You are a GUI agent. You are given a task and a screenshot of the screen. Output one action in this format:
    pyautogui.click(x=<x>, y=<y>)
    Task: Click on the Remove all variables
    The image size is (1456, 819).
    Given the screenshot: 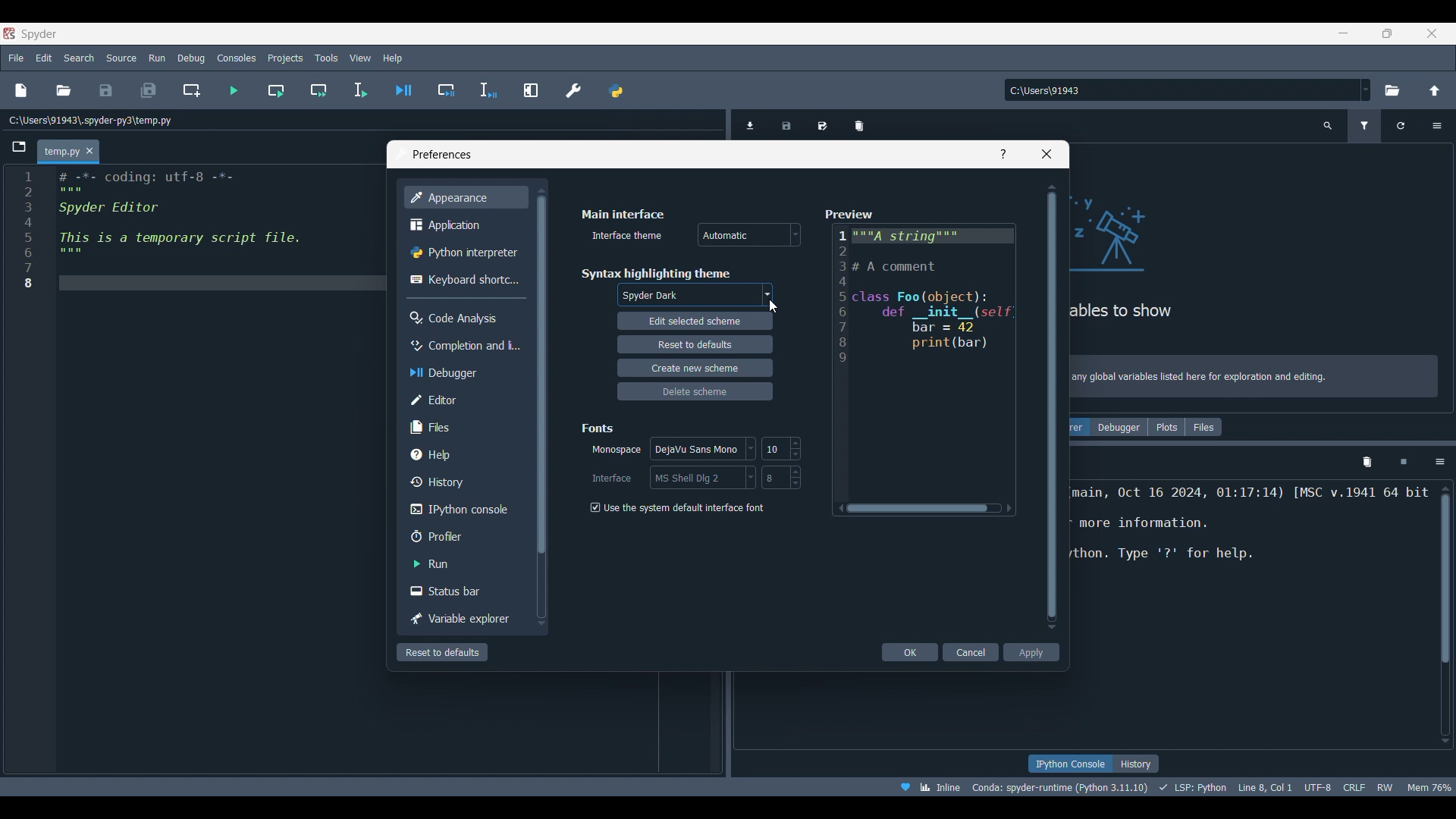 What is the action you would take?
    pyautogui.click(x=859, y=122)
    